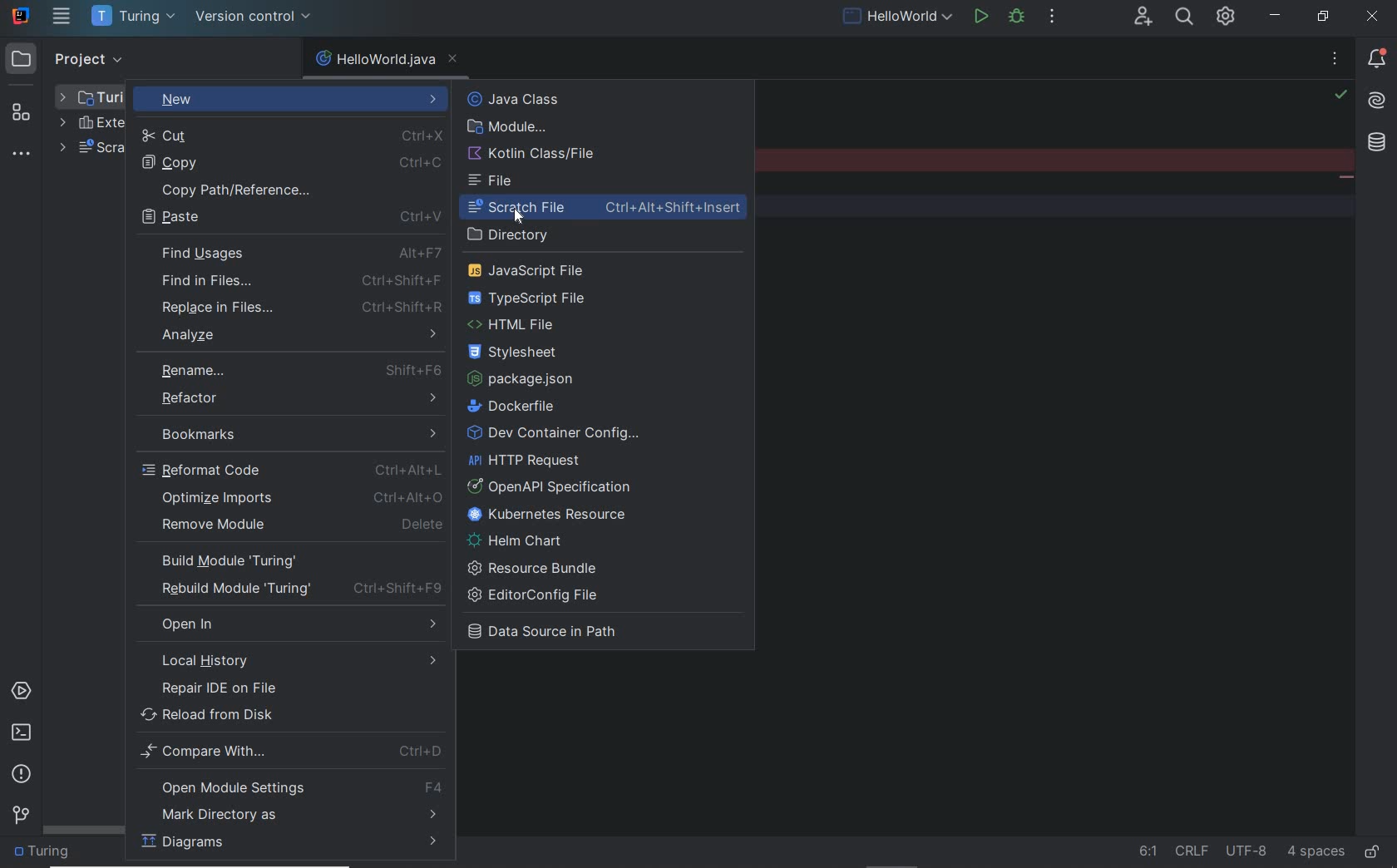  Describe the element at coordinates (375, 60) in the screenshot. I see `file name` at that location.